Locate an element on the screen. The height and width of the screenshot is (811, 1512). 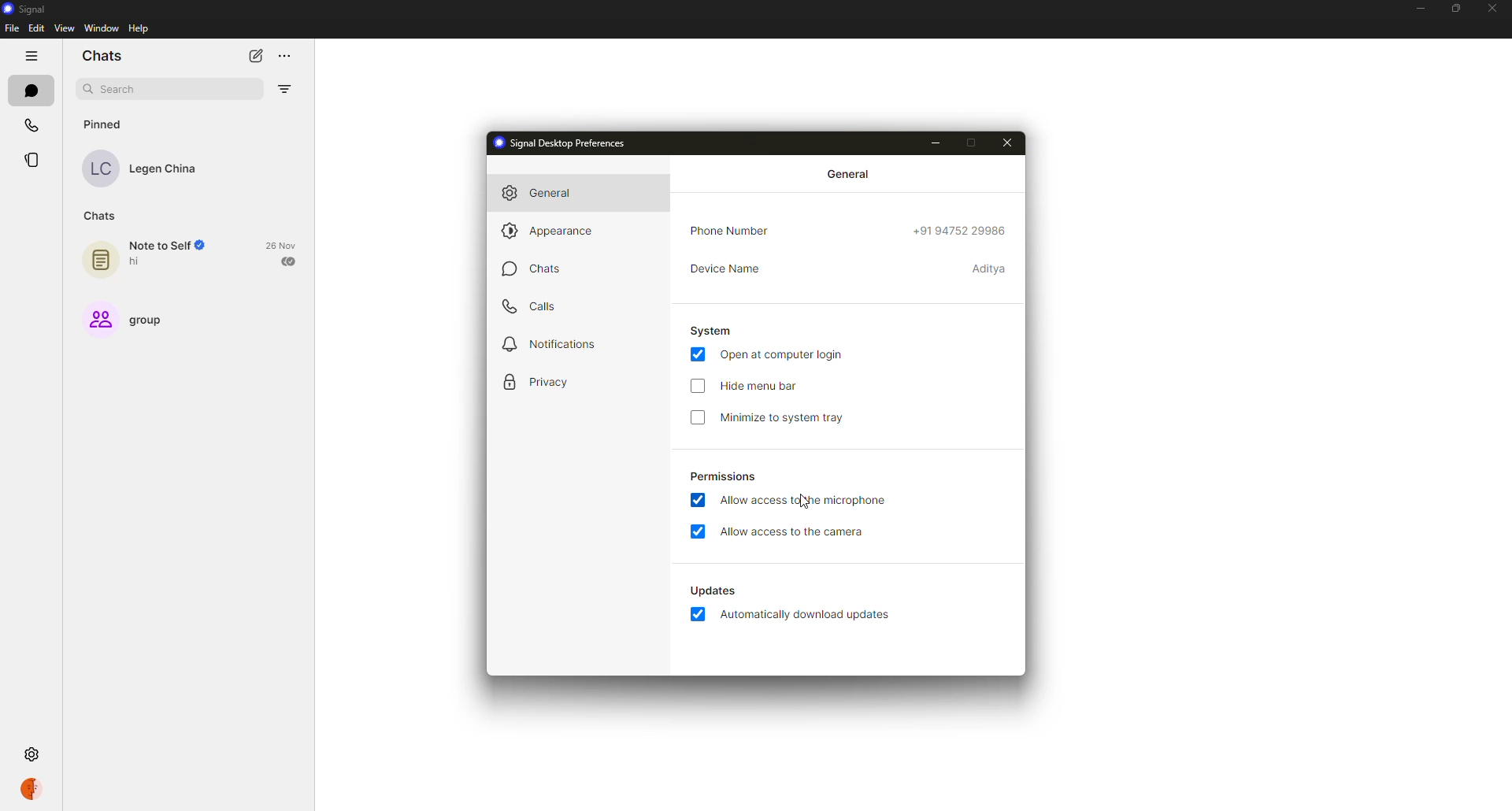
note to self is located at coordinates (153, 255).